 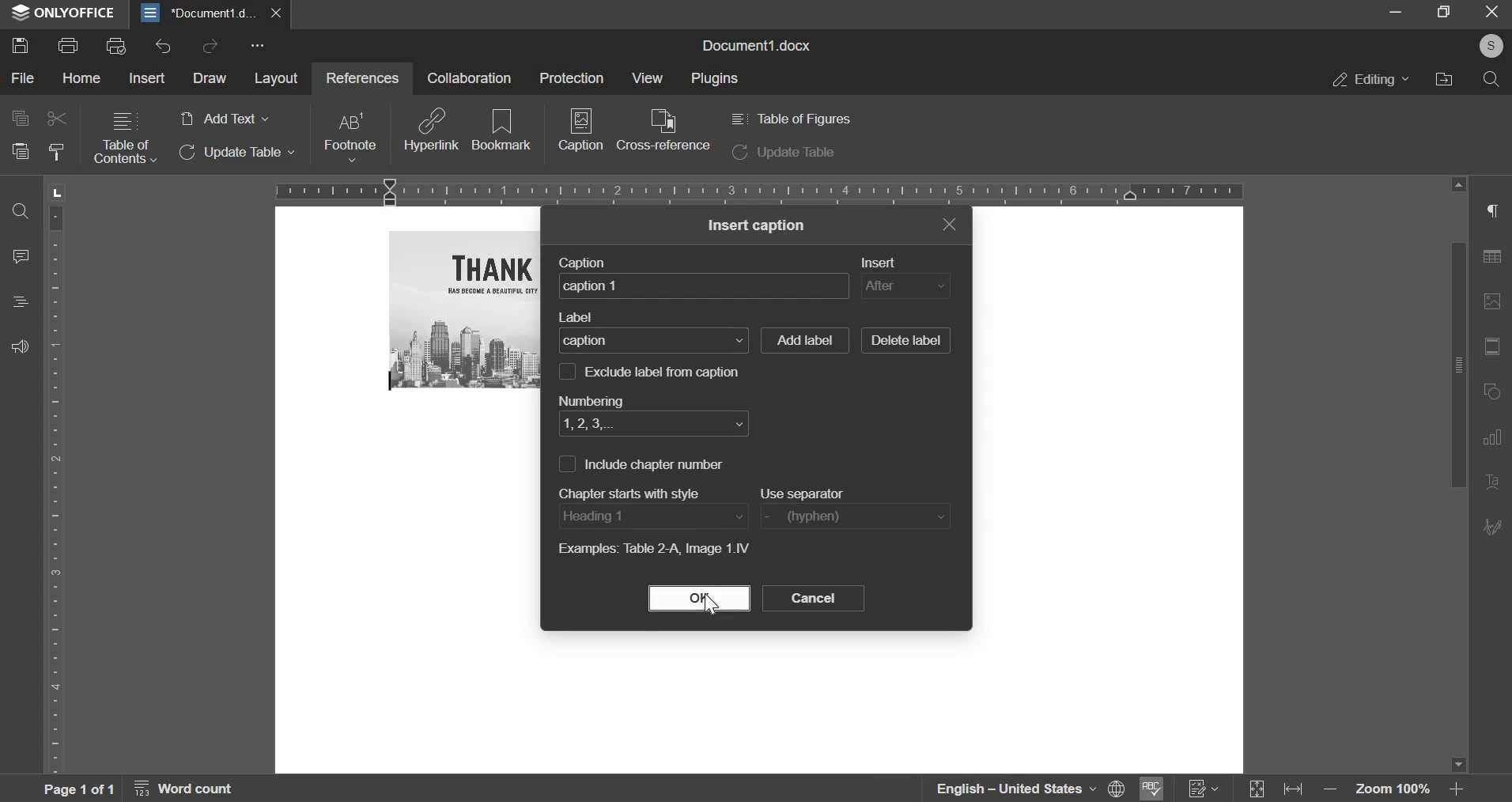 I want to click on profile, so click(x=1487, y=47).